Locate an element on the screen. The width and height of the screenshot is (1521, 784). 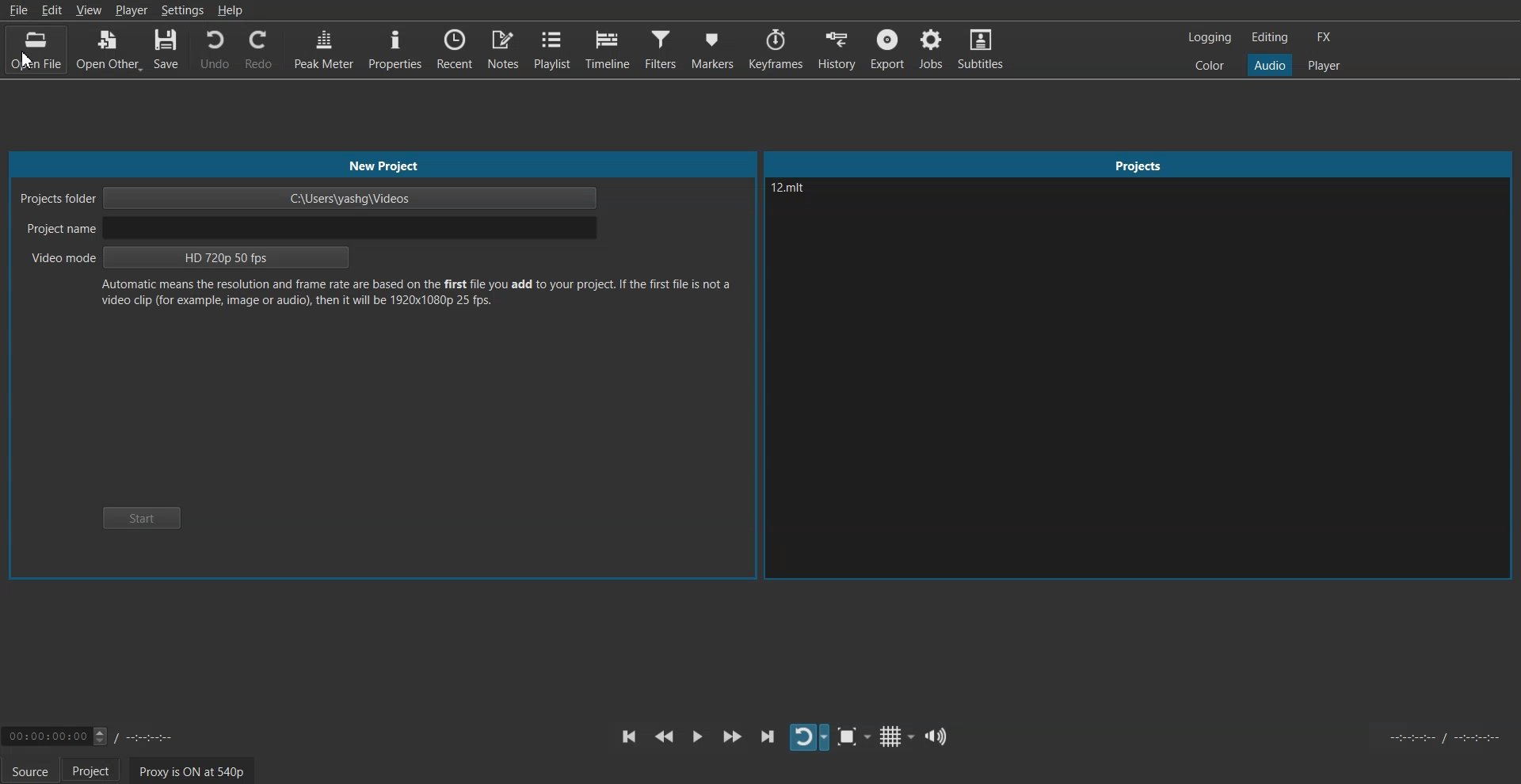
Peak Meter is located at coordinates (322, 49).